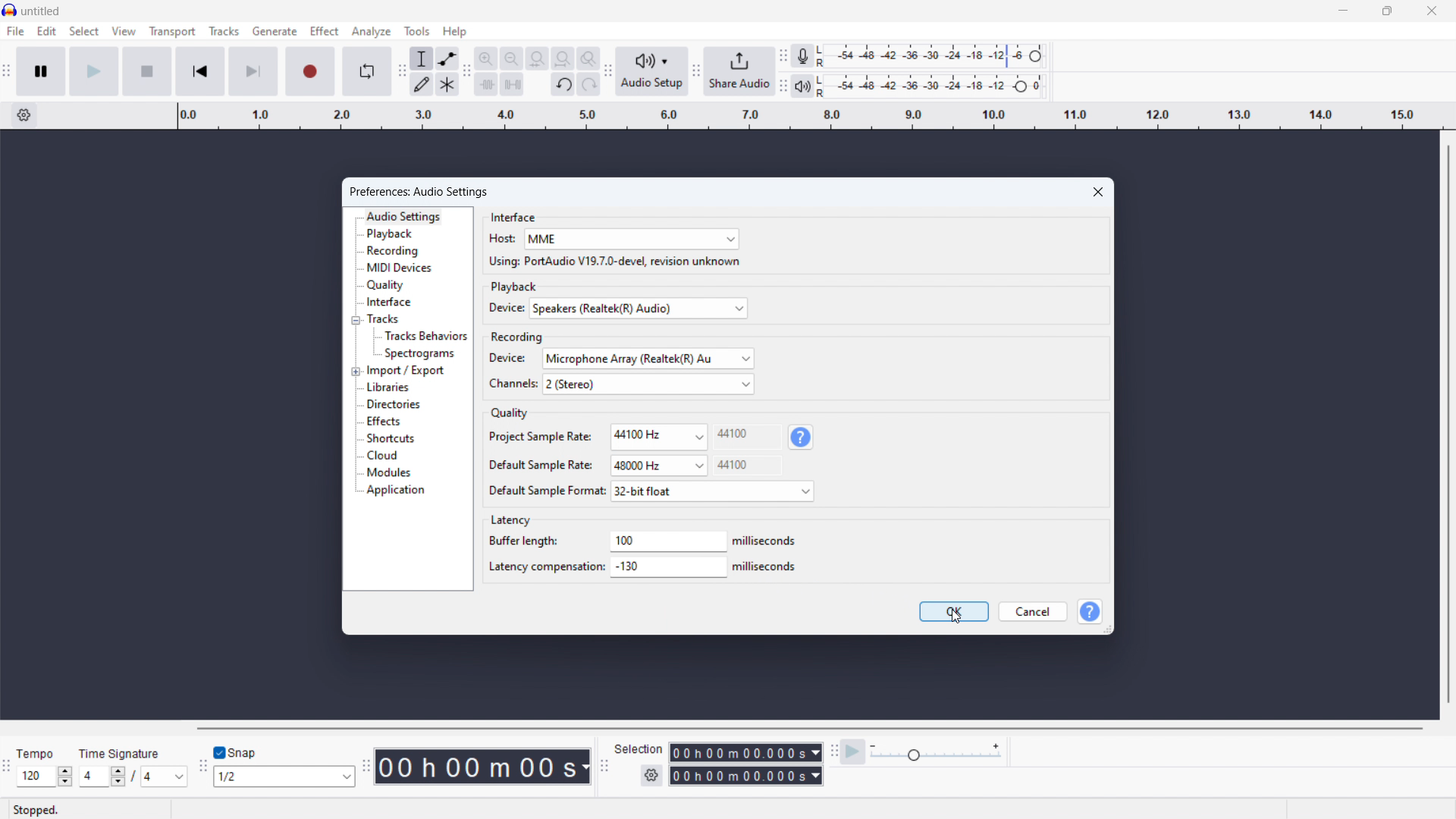 The width and height of the screenshot is (1456, 819). What do you see at coordinates (42, 71) in the screenshot?
I see `pause` at bounding box center [42, 71].